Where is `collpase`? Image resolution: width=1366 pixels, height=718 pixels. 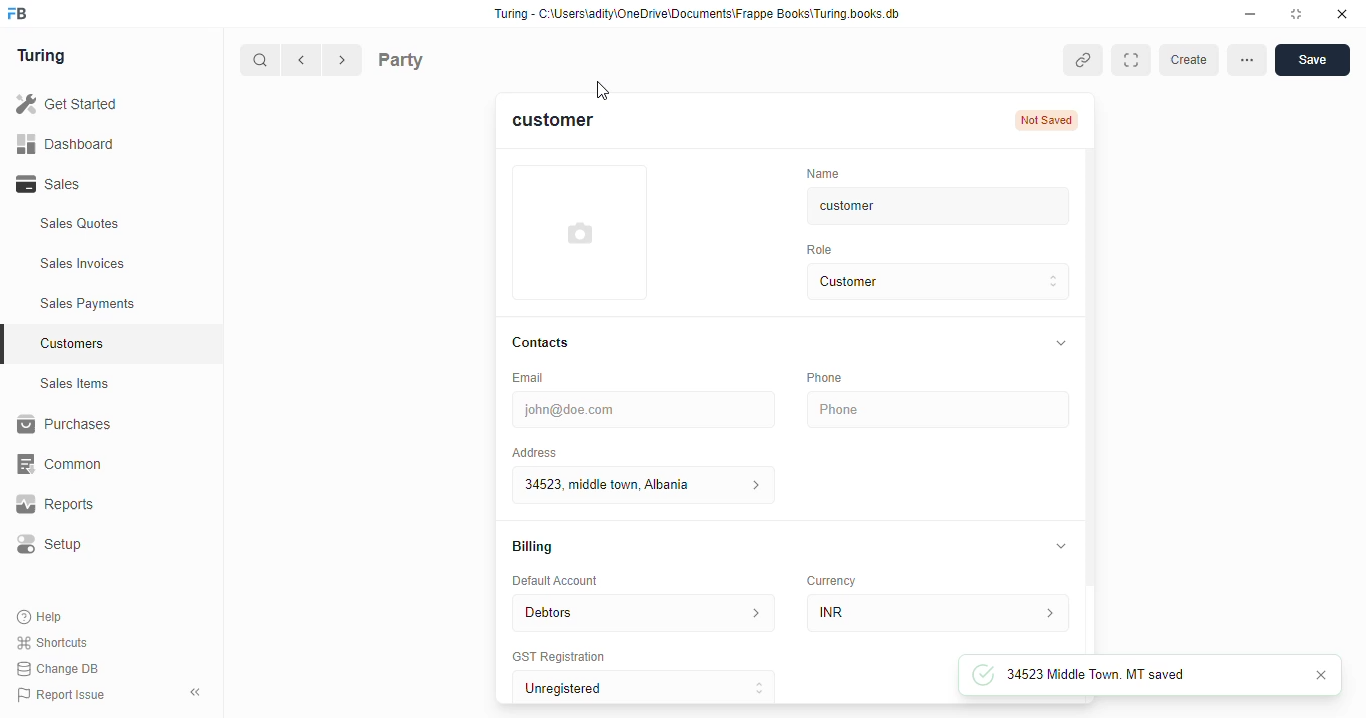
collpase is located at coordinates (195, 692).